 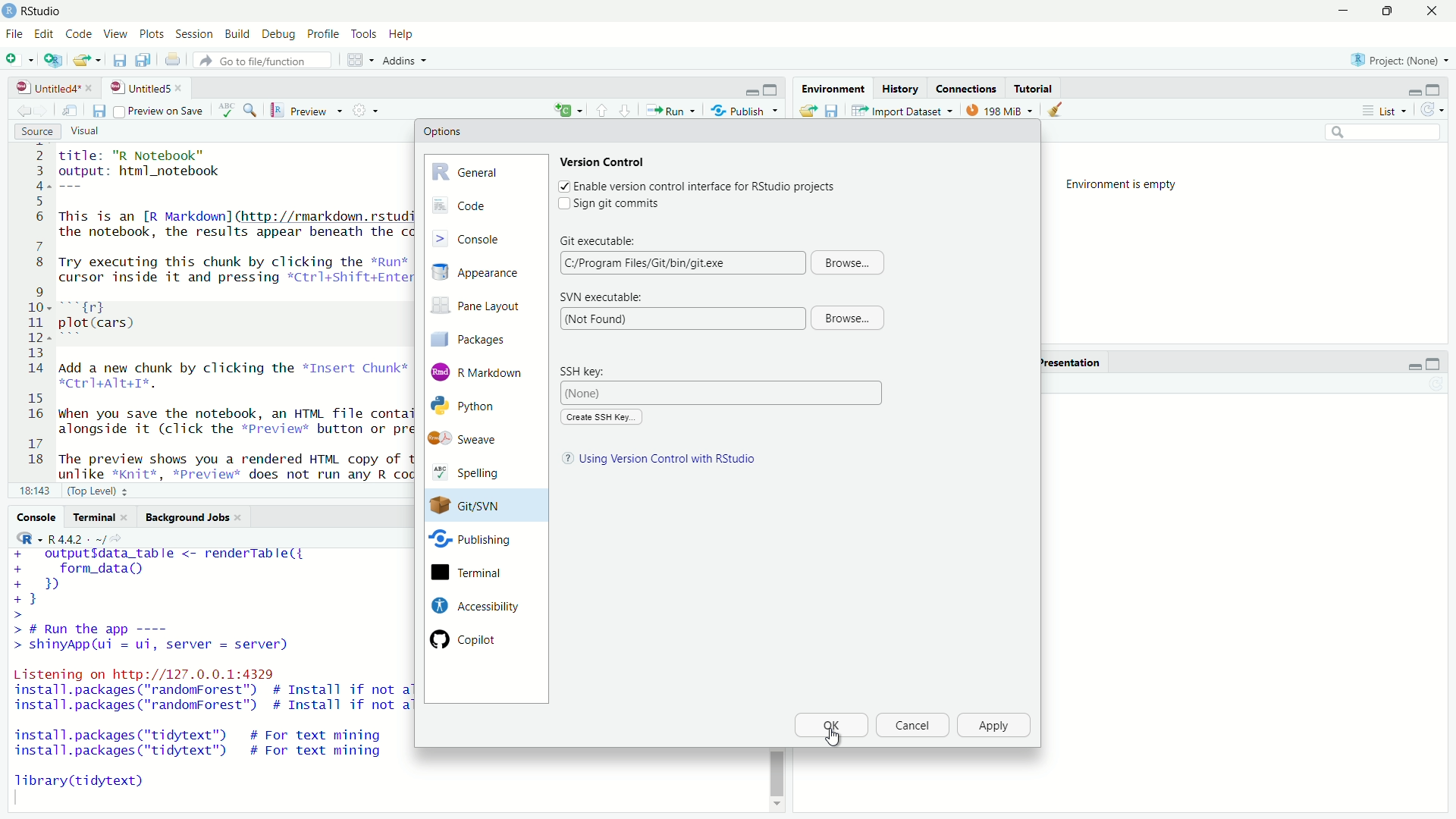 I want to click on View, so click(x=114, y=35).